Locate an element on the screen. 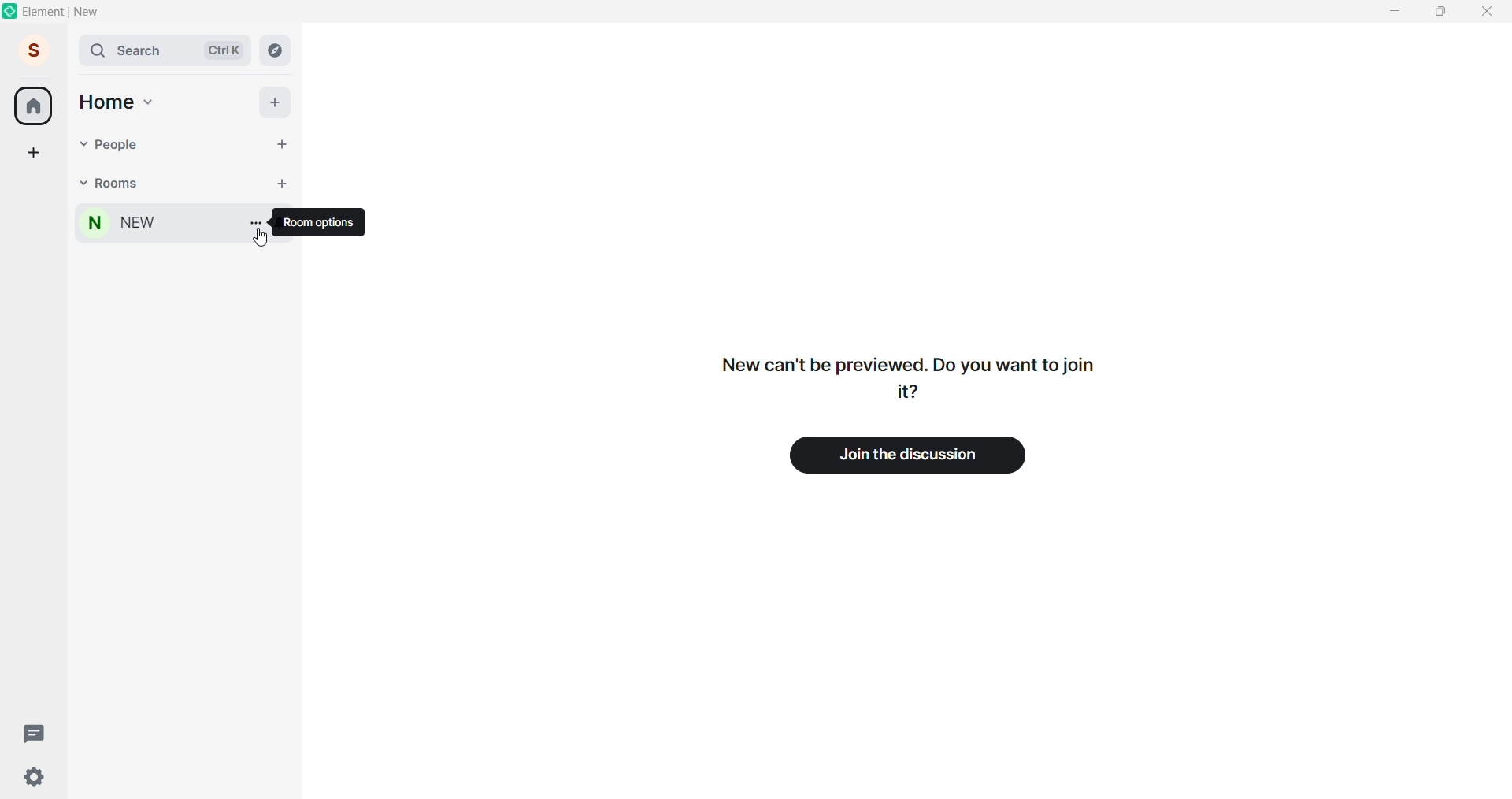  explore is located at coordinates (278, 50).